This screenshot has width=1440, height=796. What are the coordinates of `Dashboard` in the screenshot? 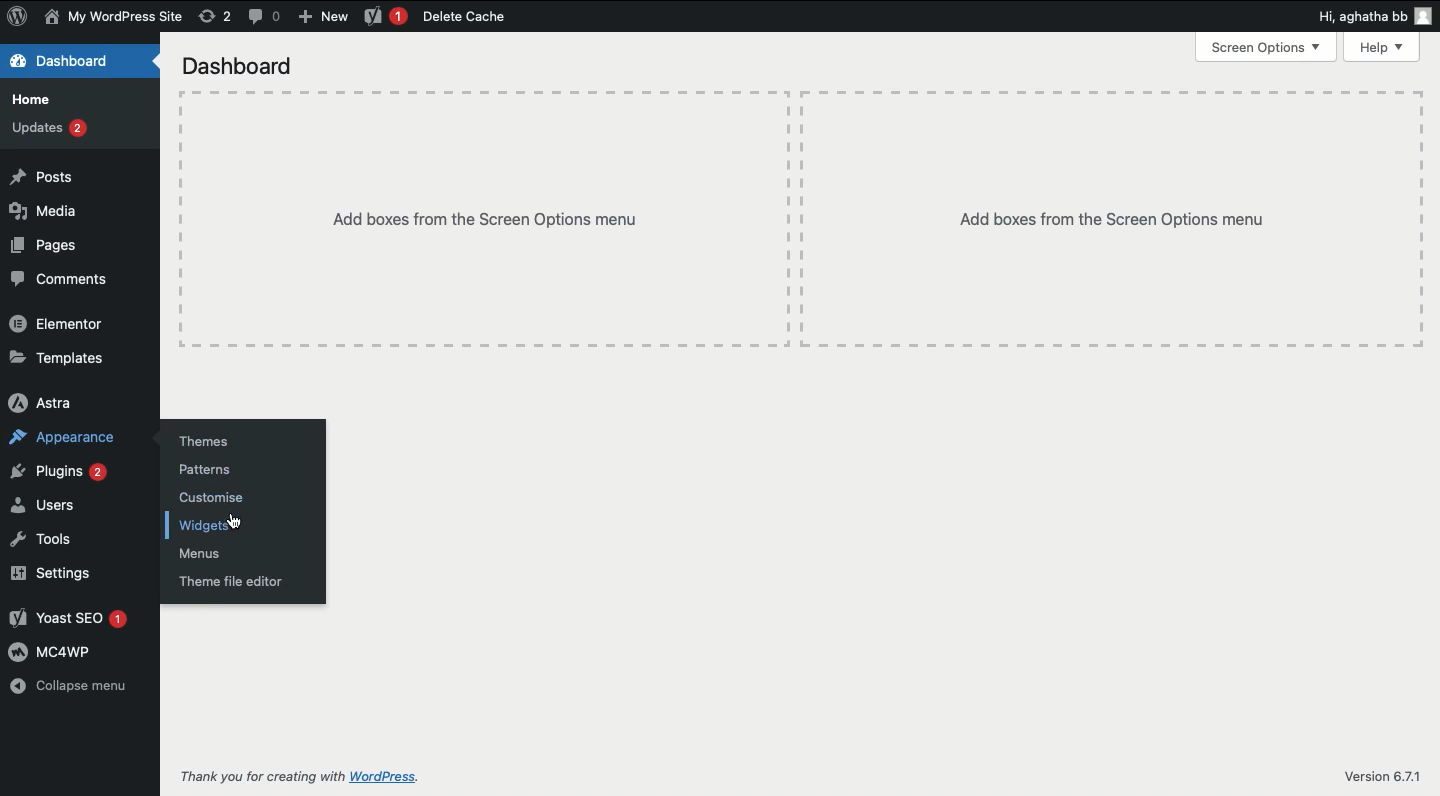 It's located at (245, 66).